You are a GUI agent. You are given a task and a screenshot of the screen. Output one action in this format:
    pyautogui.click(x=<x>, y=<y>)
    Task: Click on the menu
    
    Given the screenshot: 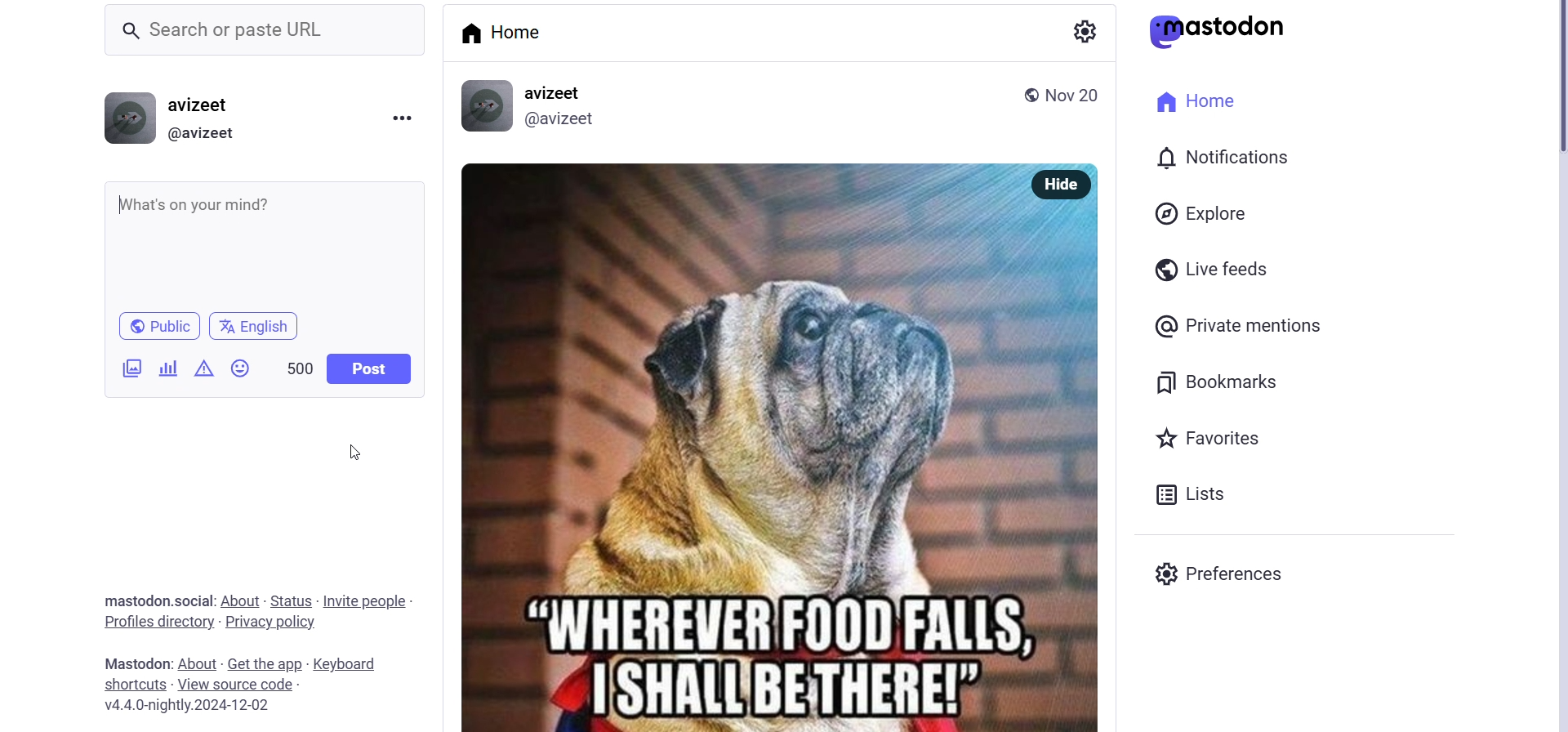 What is the action you would take?
    pyautogui.click(x=403, y=120)
    